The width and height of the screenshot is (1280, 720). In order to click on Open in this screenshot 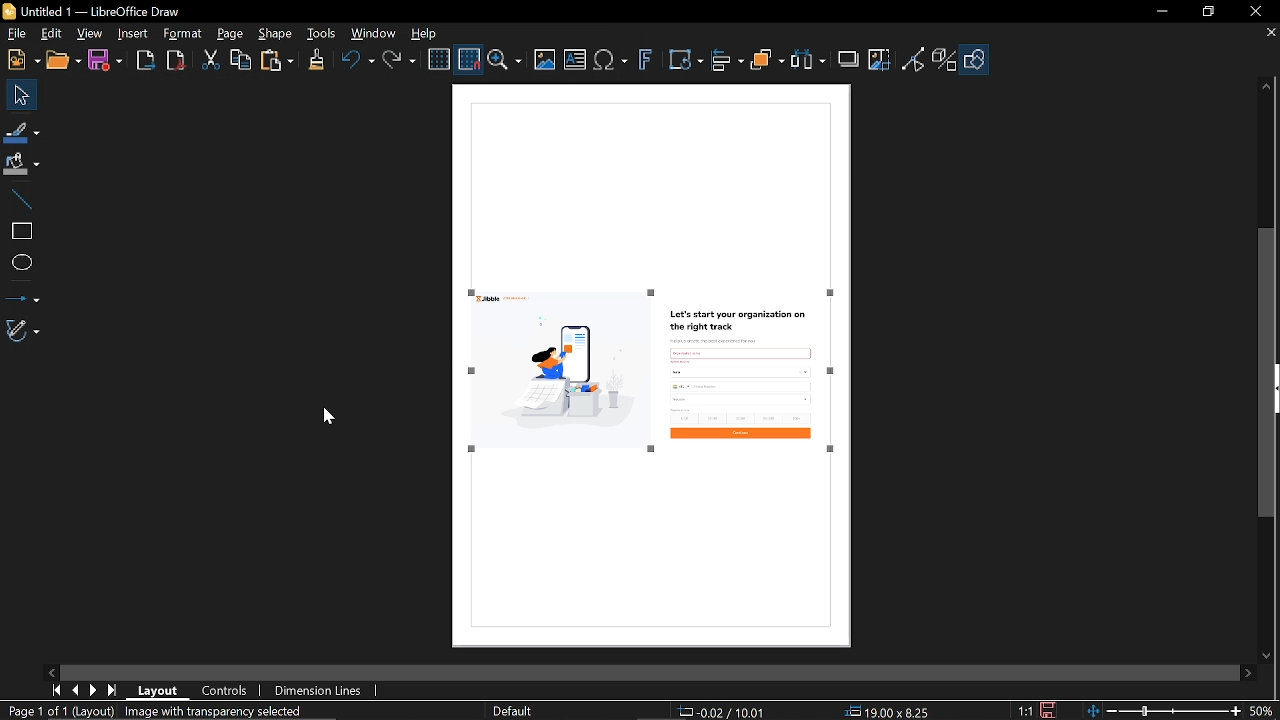, I will do `click(63, 62)`.